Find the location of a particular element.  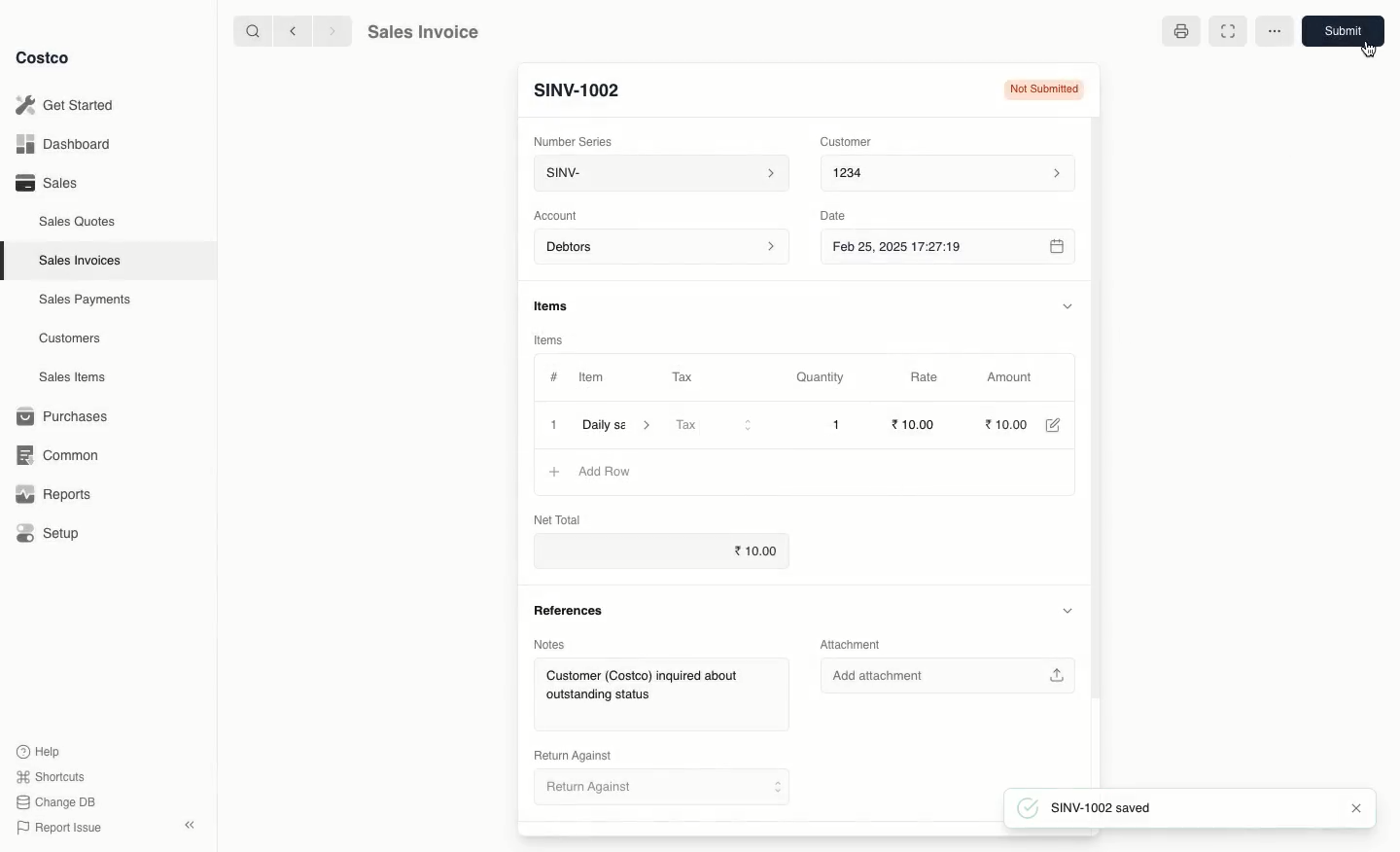

‘Add Row is located at coordinates (610, 472).